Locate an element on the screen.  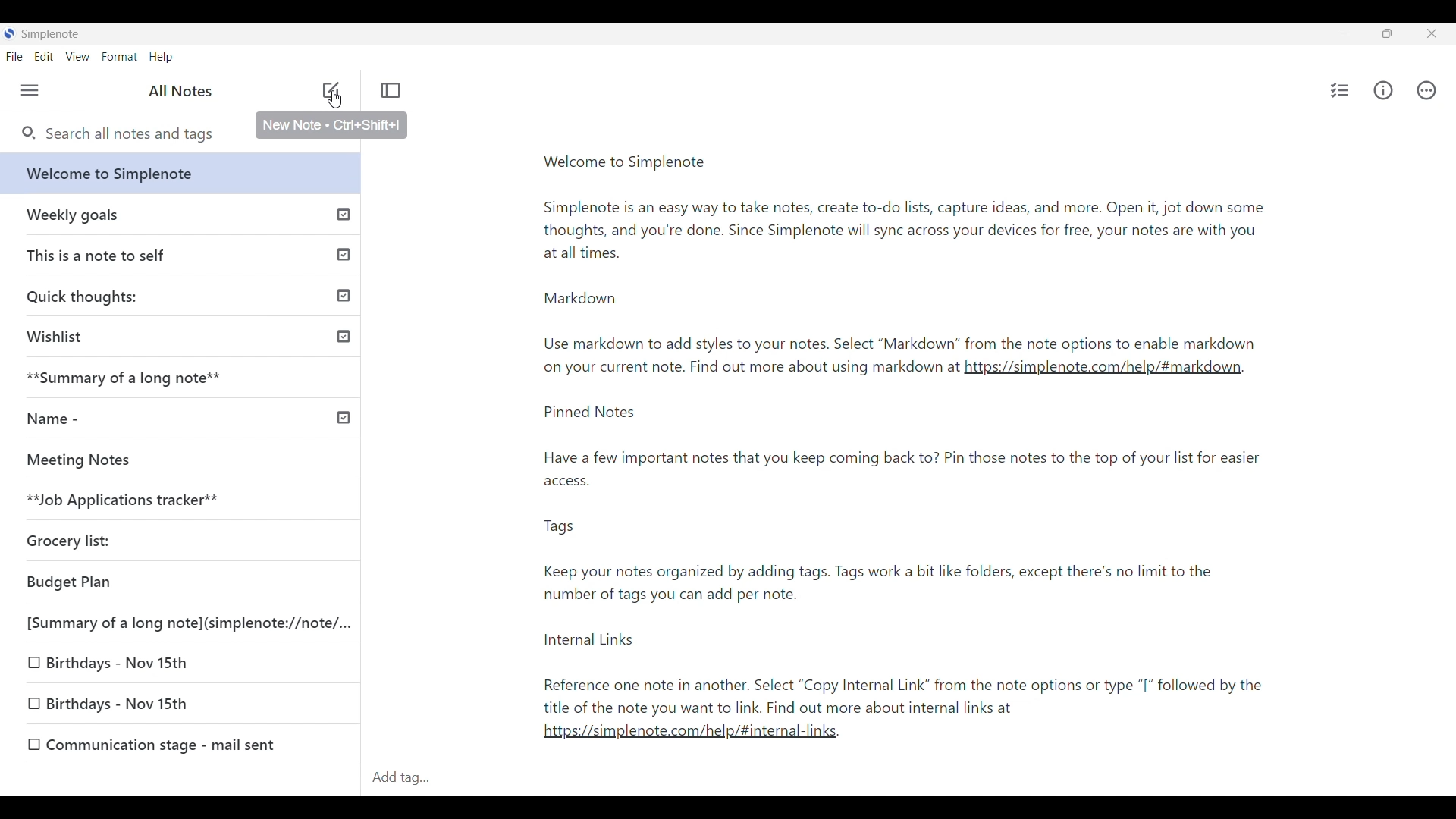
Show interface in a smaller tab is located at coordinates (1387, 33).